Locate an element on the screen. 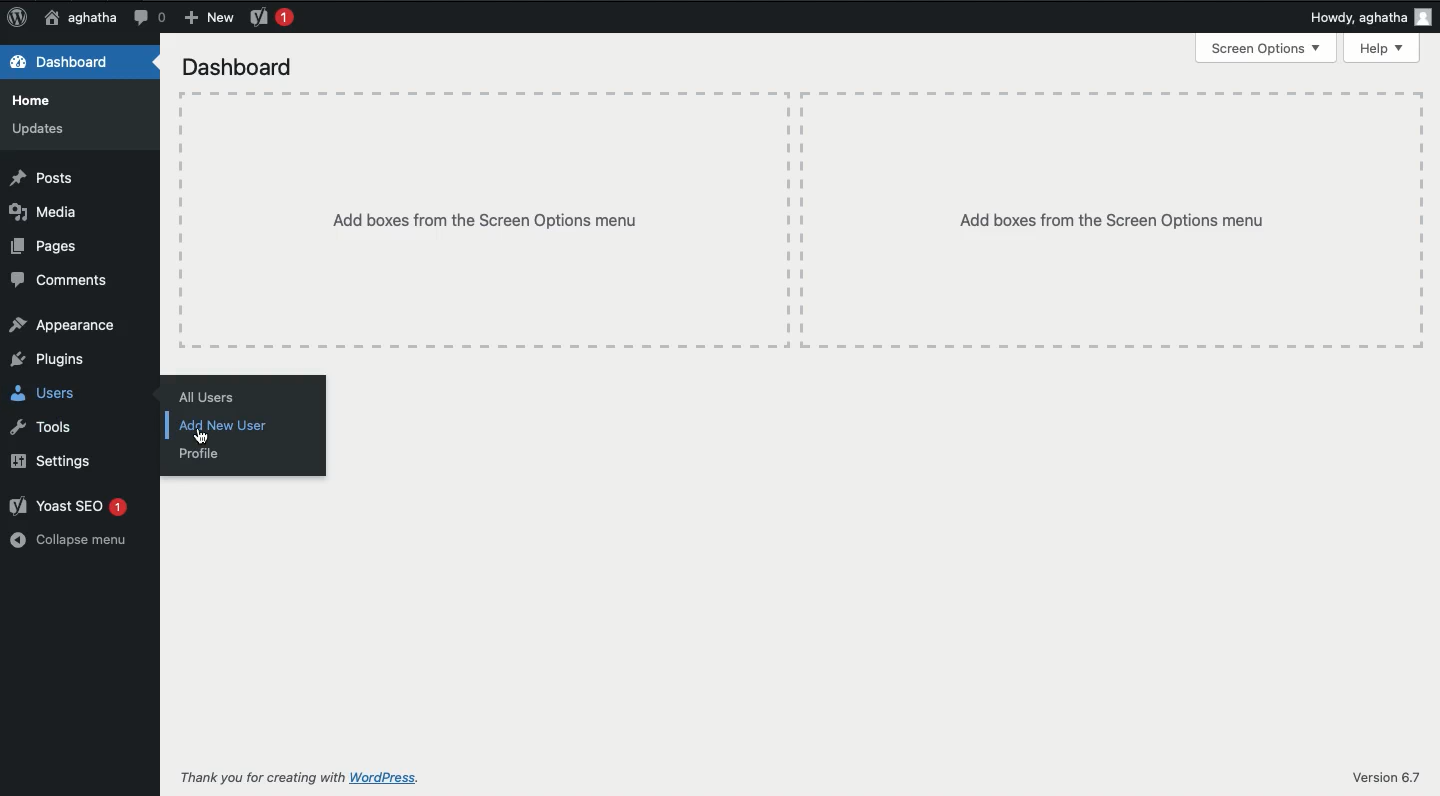 This screenshot has height=796, width=1440. Pages is located at coordinates (44, 245).